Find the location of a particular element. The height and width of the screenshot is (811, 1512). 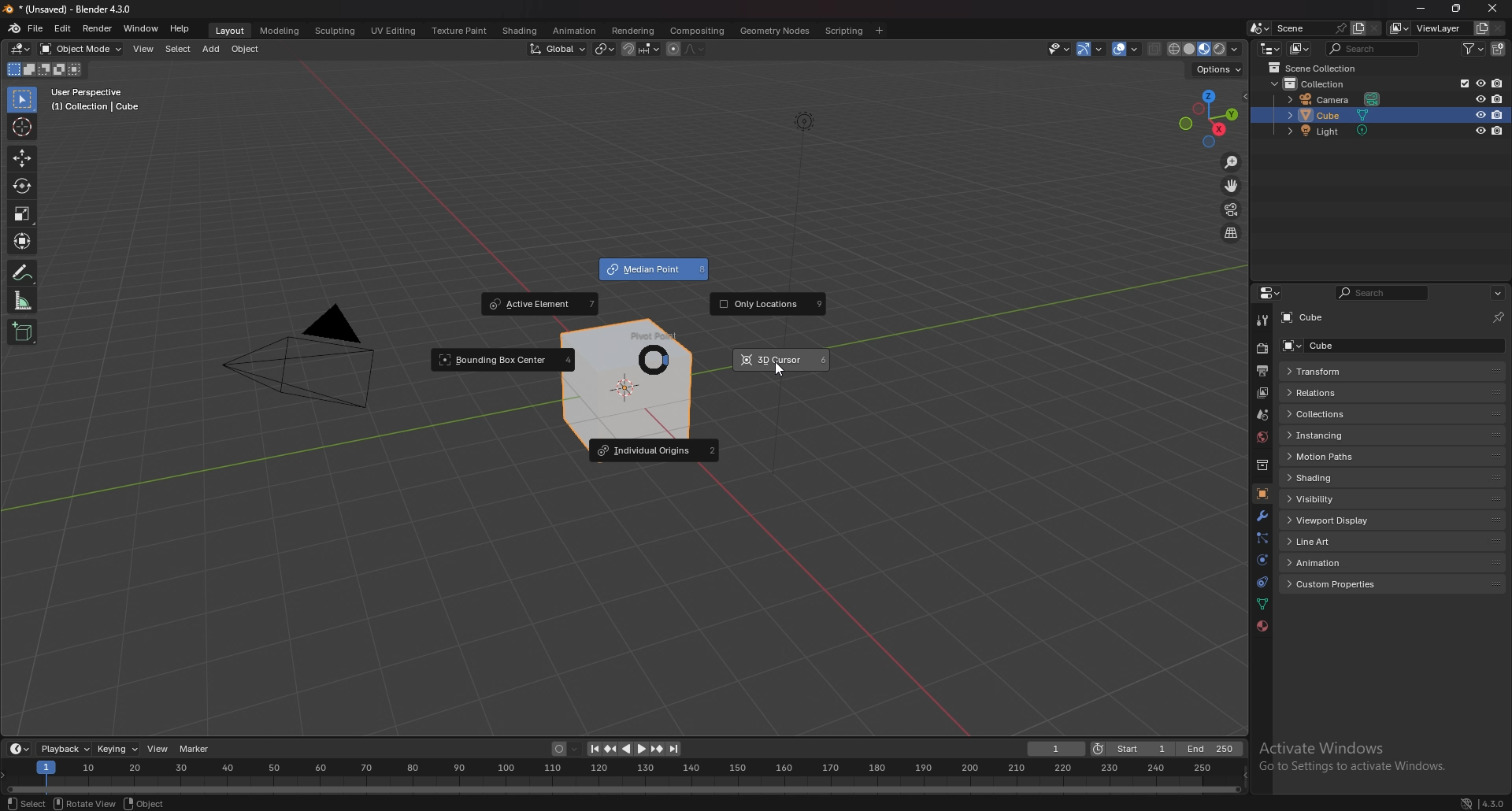

jump to keyframe is located at coordinates (612, 749).